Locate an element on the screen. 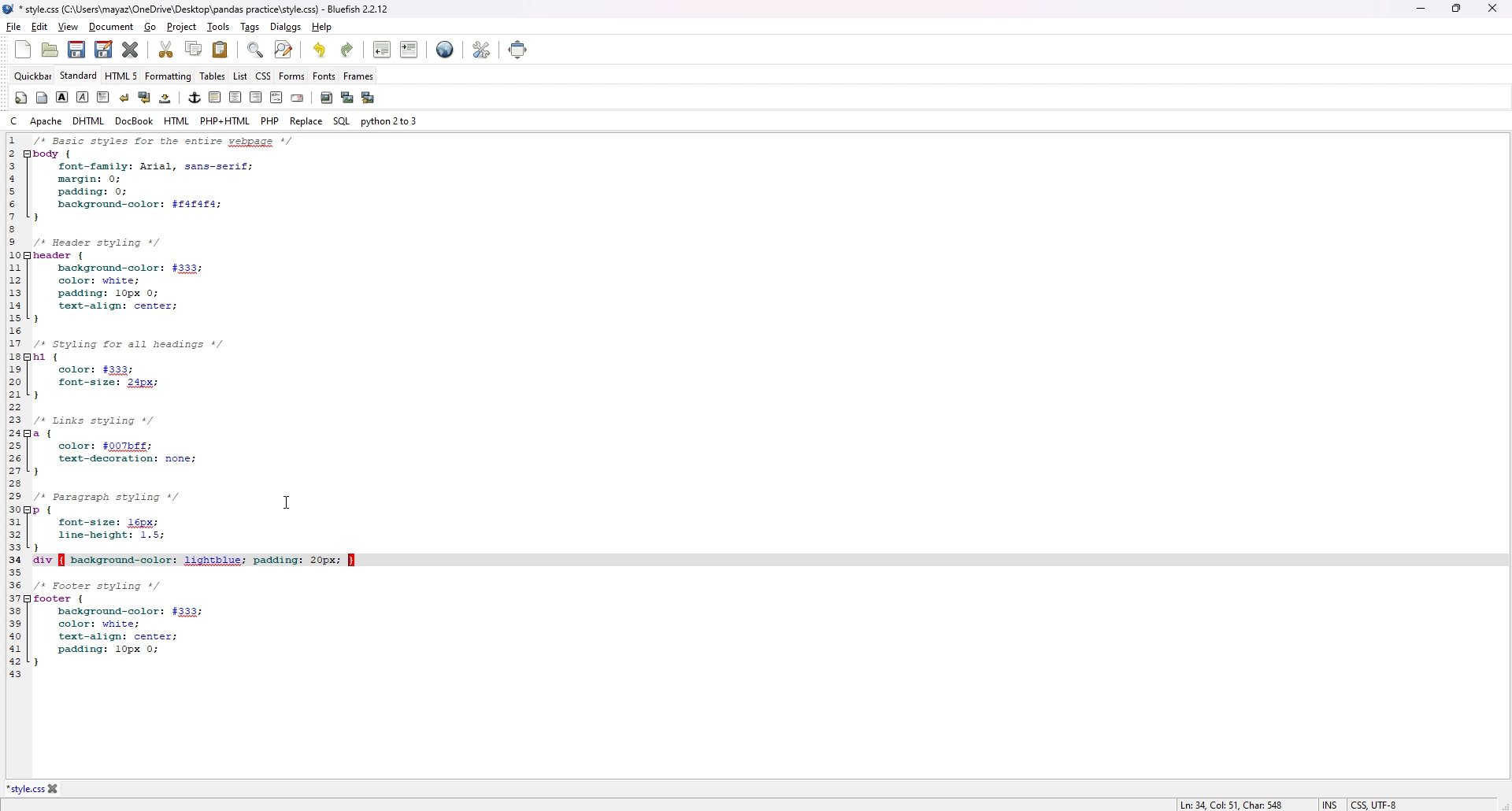 This screenshot has height=811, width=1512. dialogs is located at coordinates (285, 26).